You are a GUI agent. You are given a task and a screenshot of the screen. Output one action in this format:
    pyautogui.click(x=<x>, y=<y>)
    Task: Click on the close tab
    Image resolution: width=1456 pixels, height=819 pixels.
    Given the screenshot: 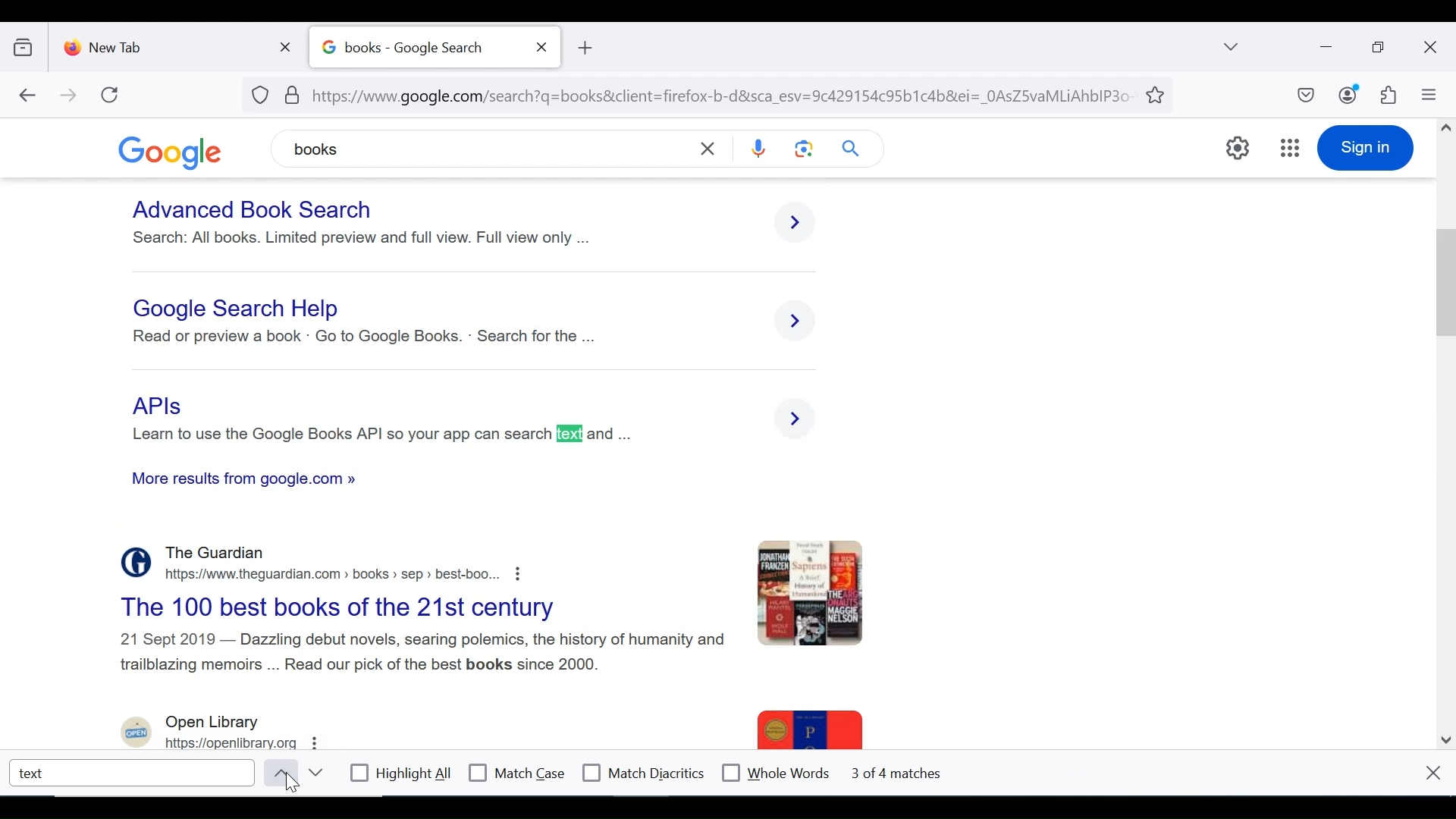 What is the action you would take?
    pyautogui.click(x=542, y=47)
    